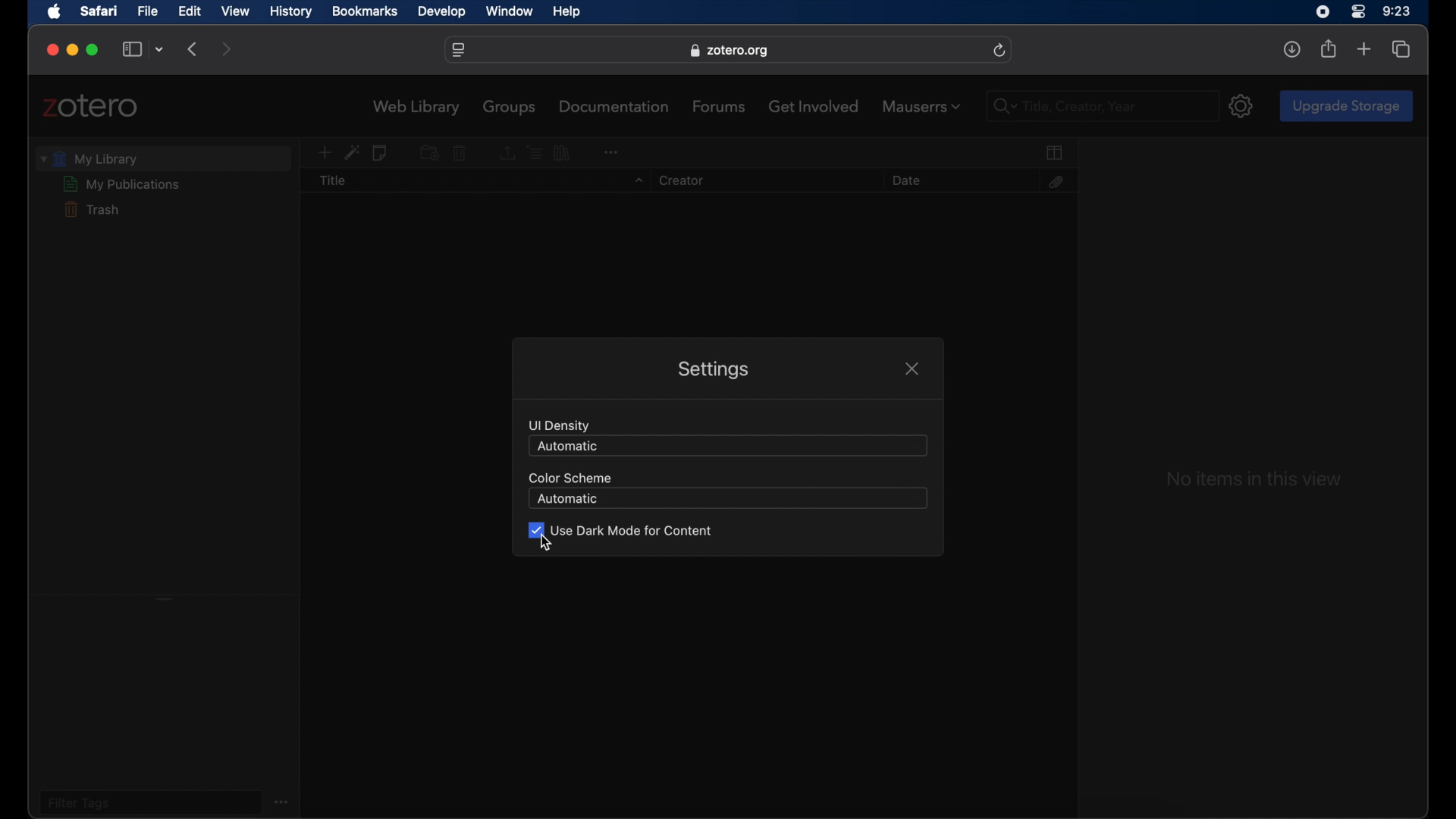 This screenshot has width=1456, height=819. I want to click on downloads, so click(1291, 49).